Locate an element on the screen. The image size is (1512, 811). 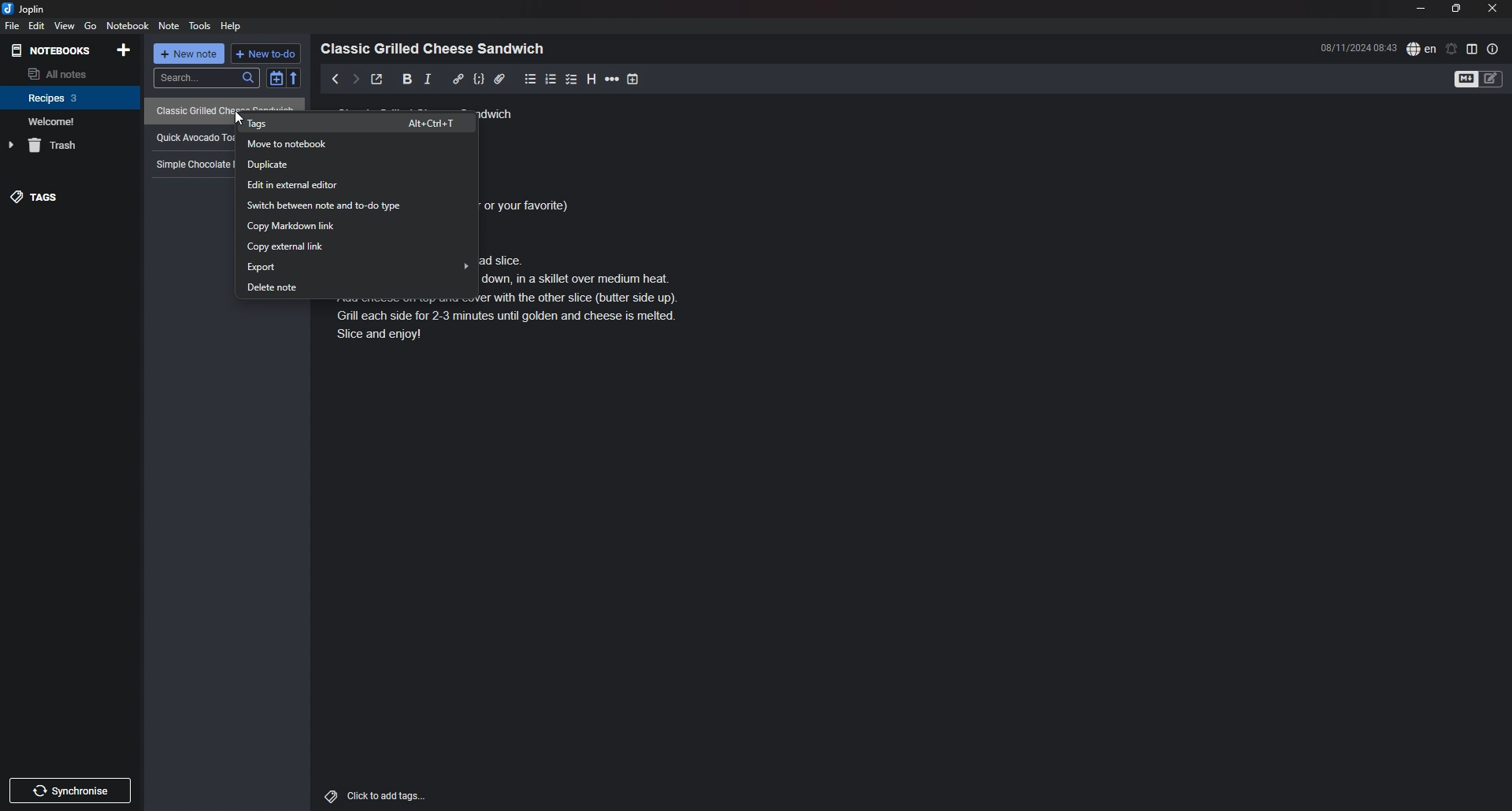
delete note is located at coordinates (358, 286).